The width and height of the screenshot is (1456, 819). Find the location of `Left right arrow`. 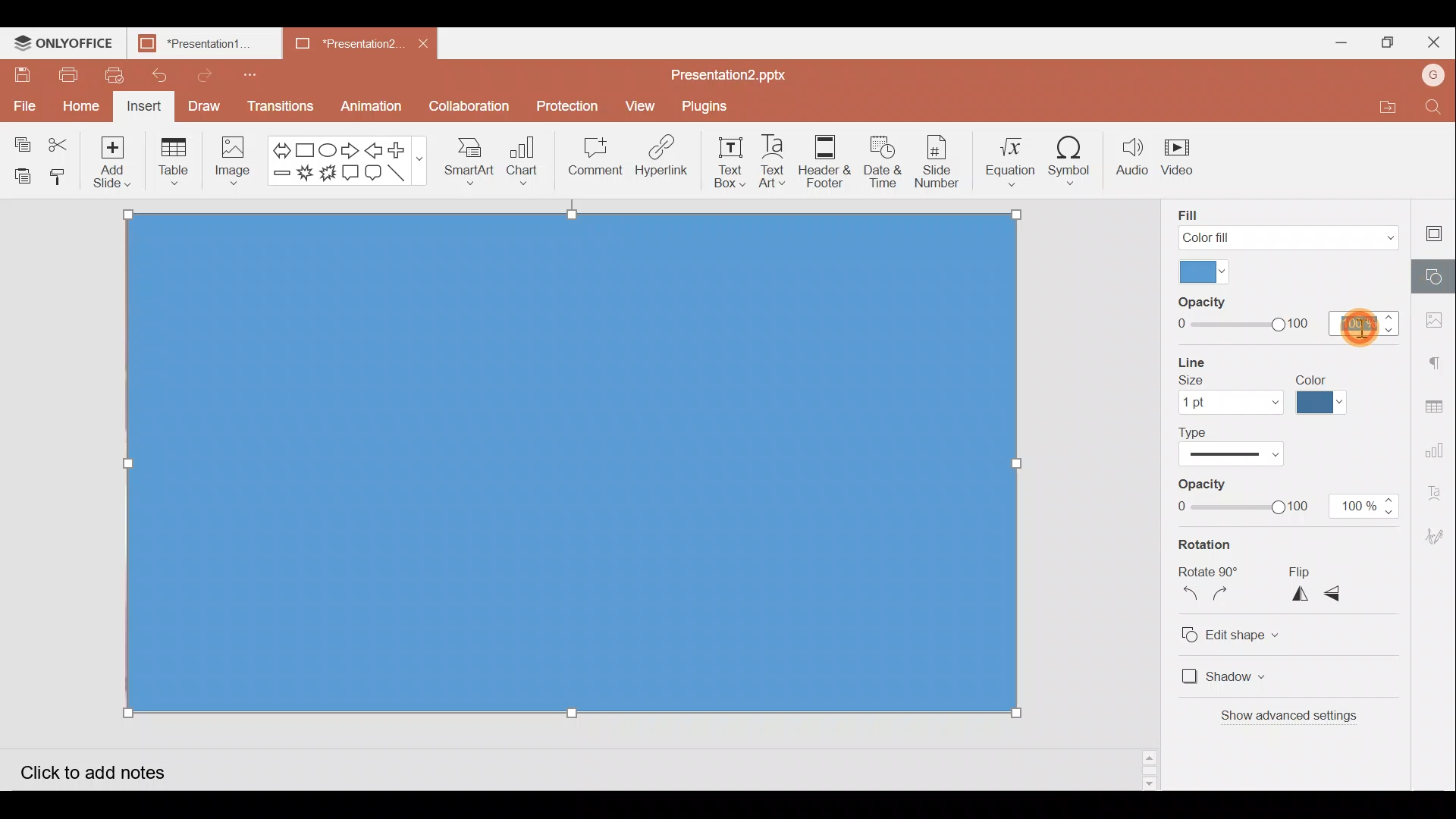

Left right arrow is located at coordinates (281, 146).